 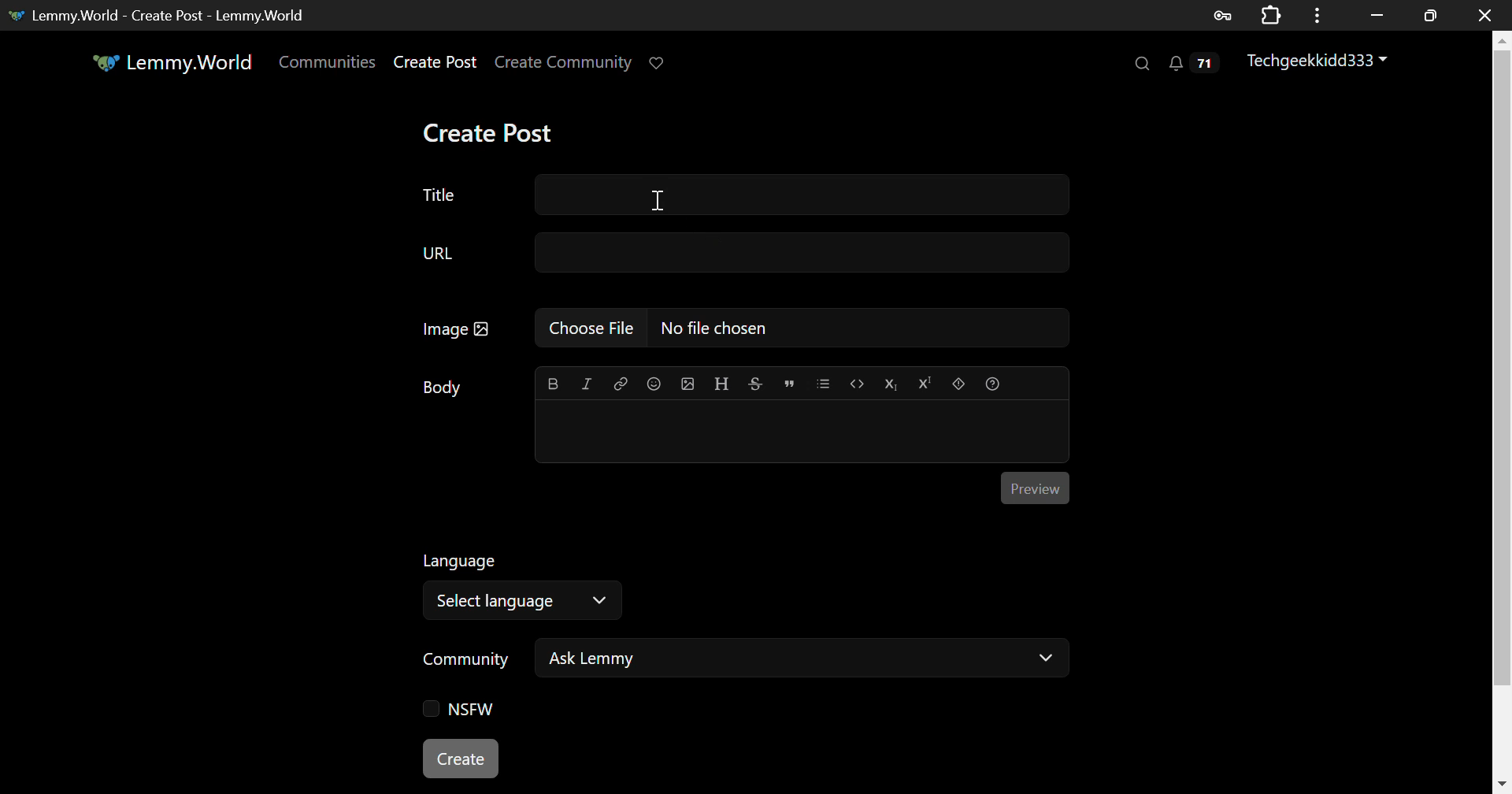 What do you see at coordinates (889, 384) in the screenshot?
I see `Subscript` at bounding box center [889, 384].